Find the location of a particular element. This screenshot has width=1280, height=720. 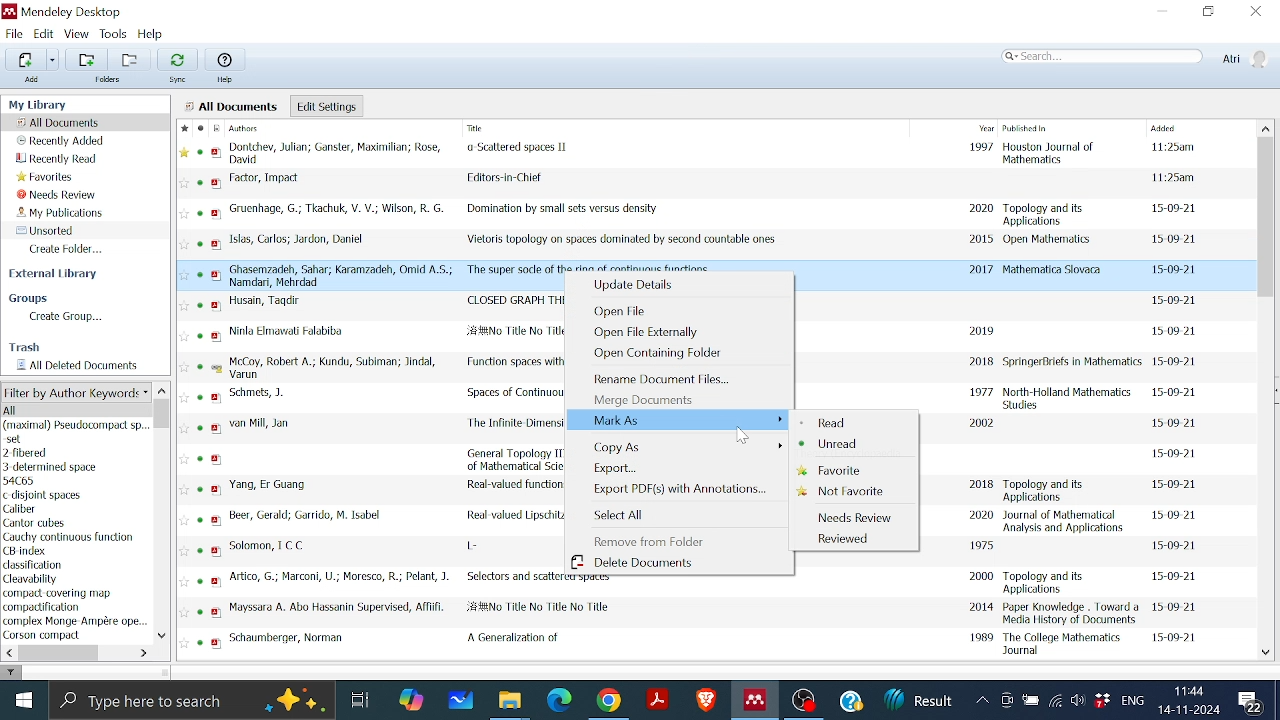

start is located at coordinates (22, 698).